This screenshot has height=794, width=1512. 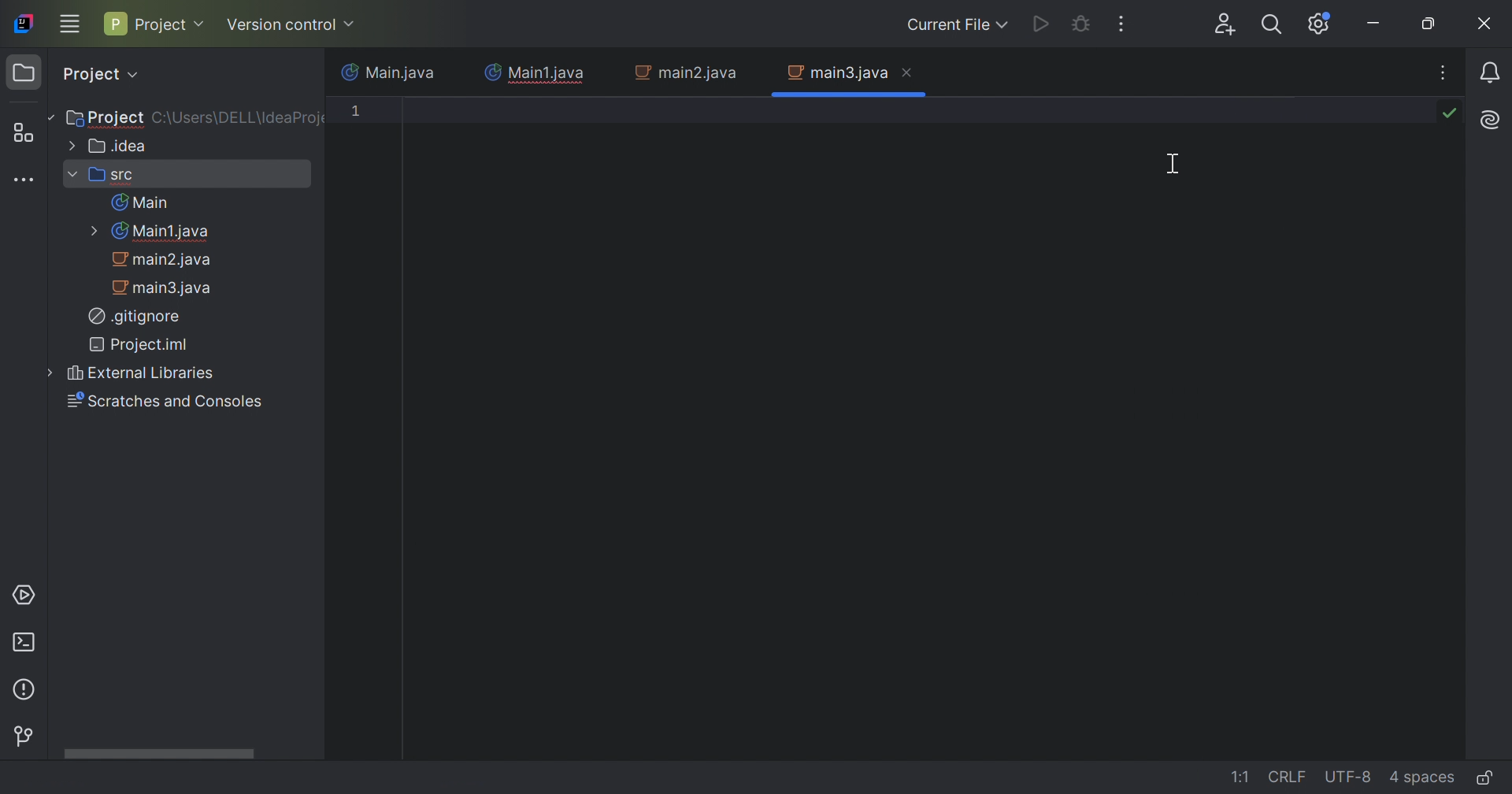 I want to click on Restore down, so click(x=1431, y=24).